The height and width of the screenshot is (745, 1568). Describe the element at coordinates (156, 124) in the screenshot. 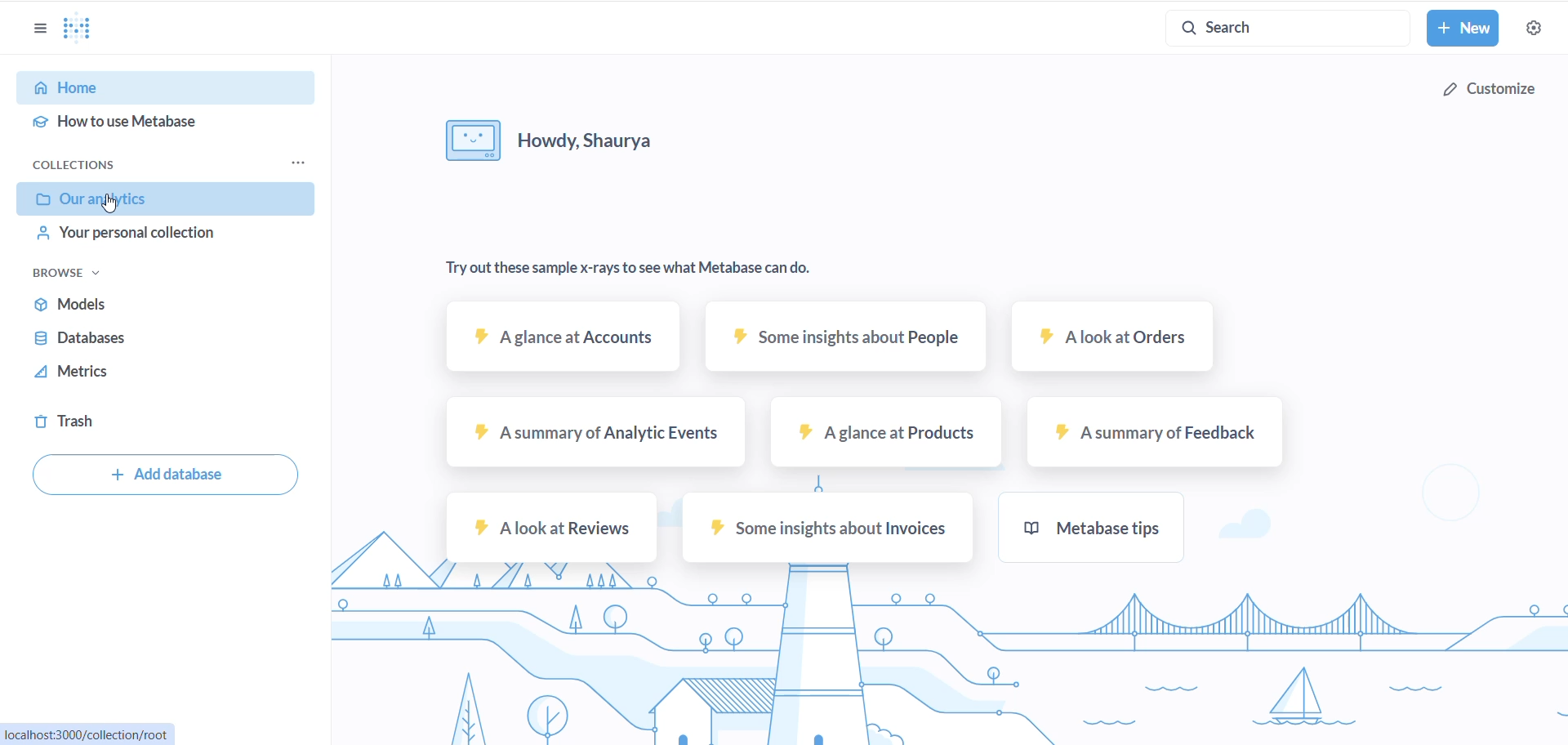

I see `how to use metabase ` at that location.